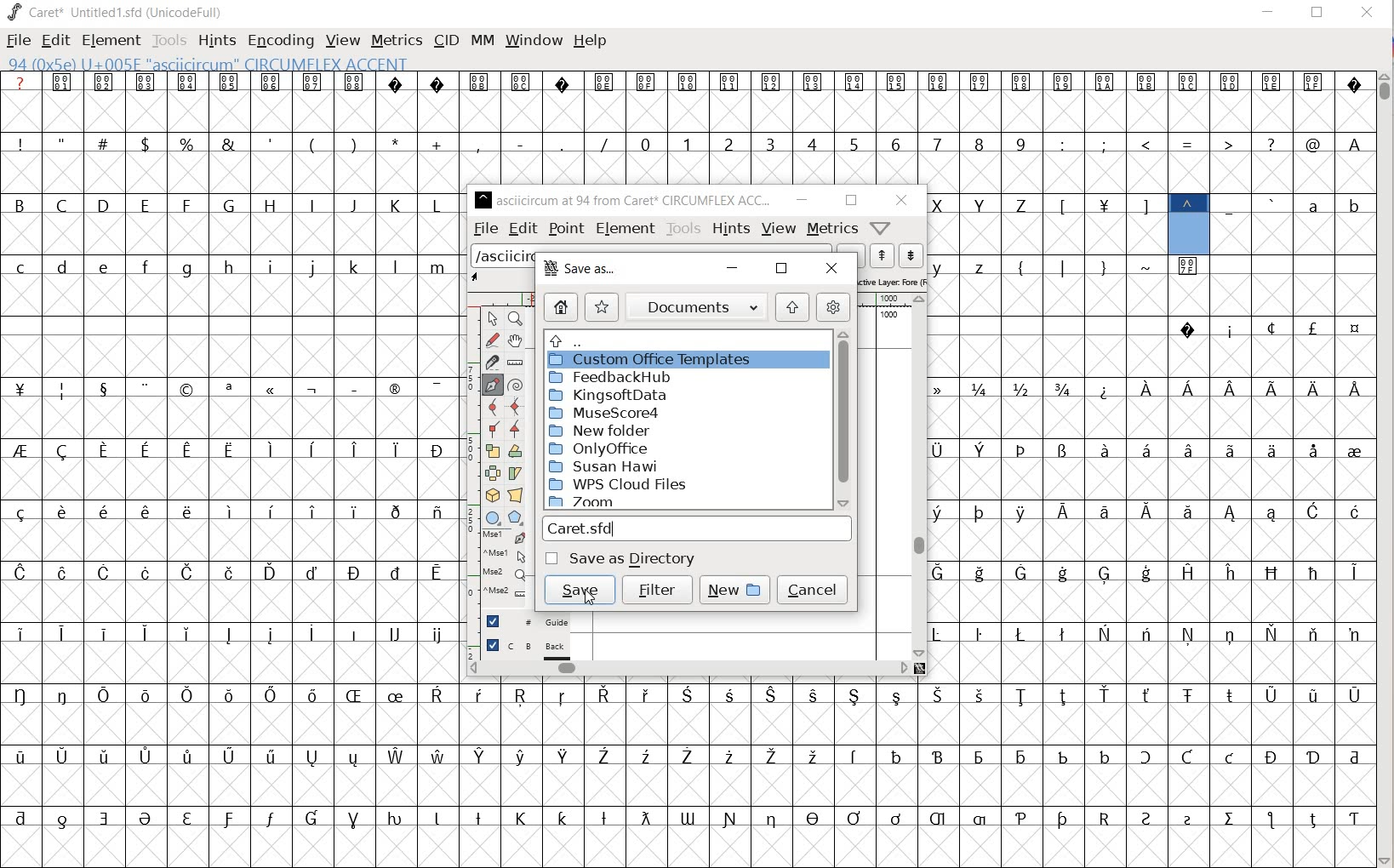 Image resolution: width=1394 pixels, height=868 pixels. Describe the element at coordinates (494, 408) in the screenshot. I see `add a curve point` at that location.